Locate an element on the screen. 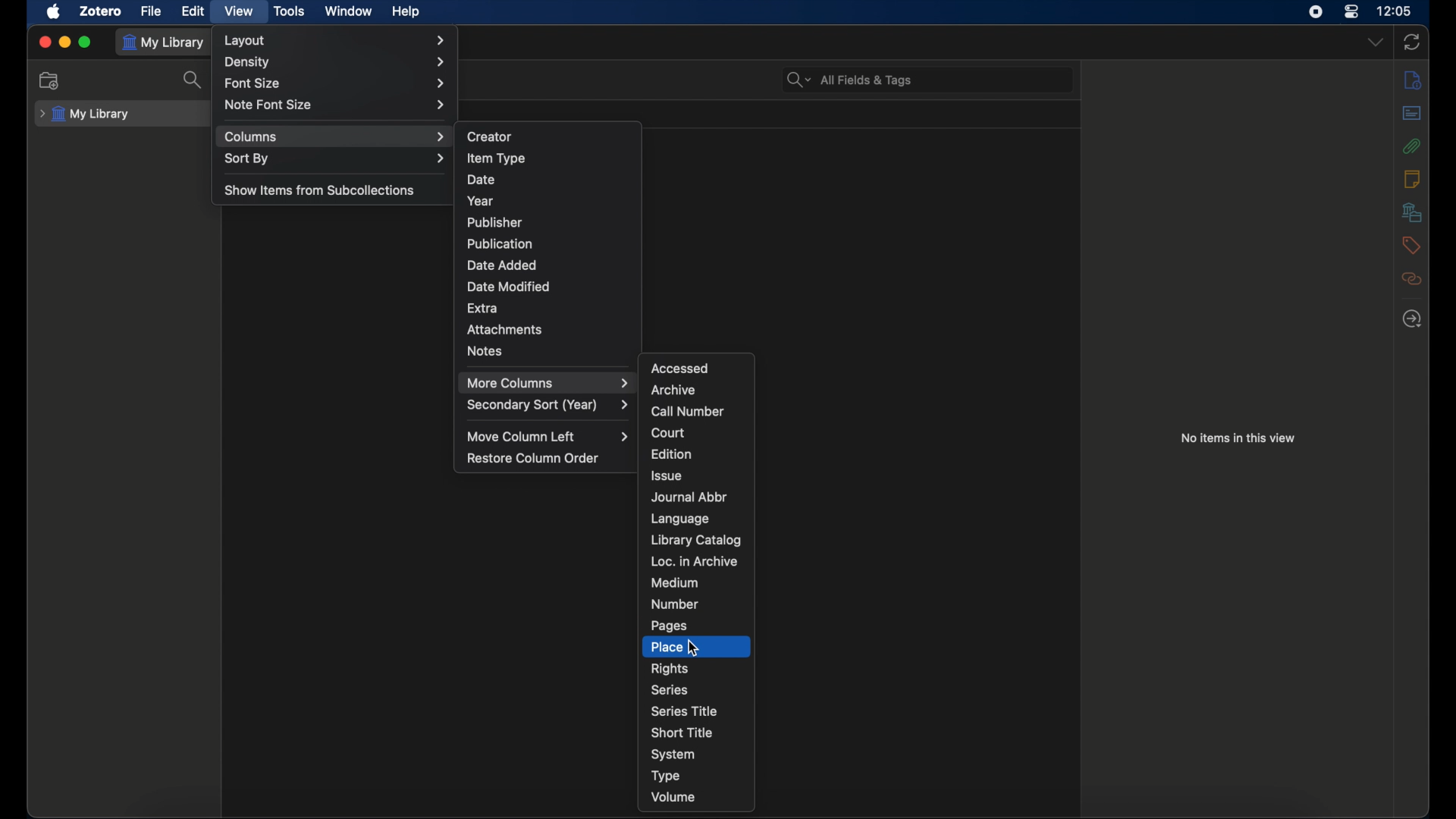 This screenshot has height=819, width=1456. archive is located at coordinates (673, 390).